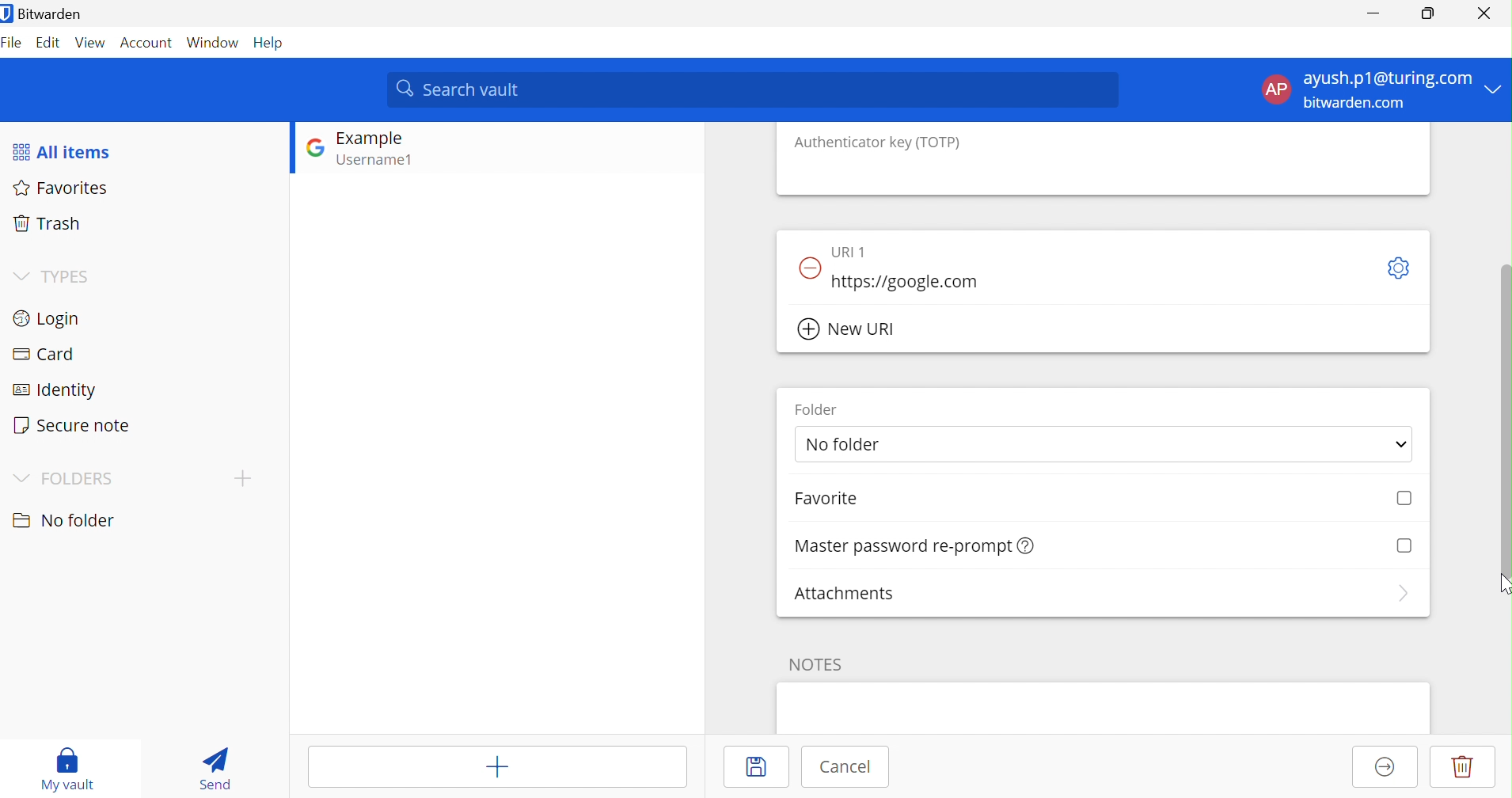 The width and height of the screenshot is (1512, 798). What do you see at coordinates (62, 520) in the screenshot?
I see `No folder` at bounding box center [62, 520].